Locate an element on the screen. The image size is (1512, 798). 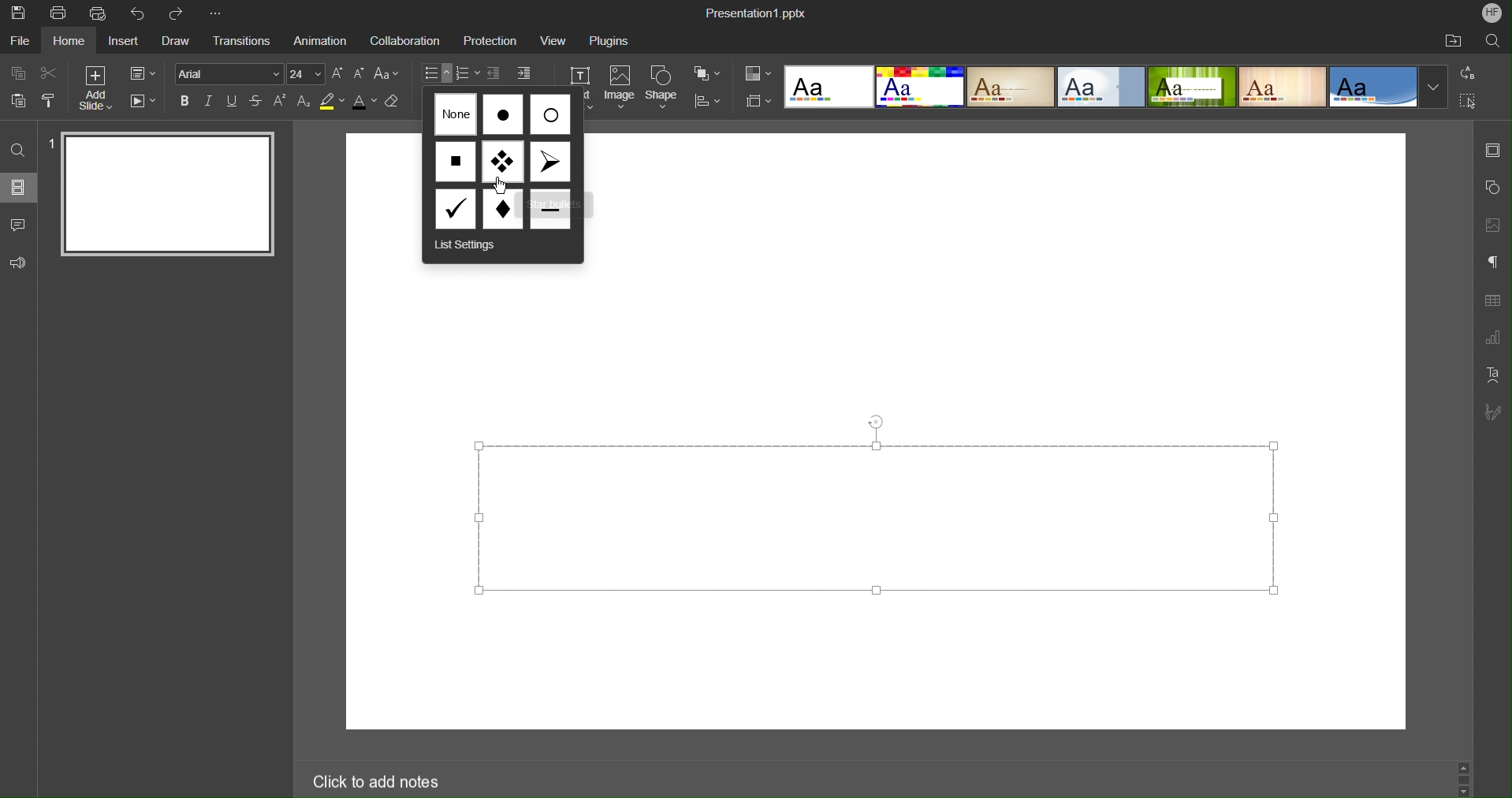
Transitions is located at coordinates (238, 41).